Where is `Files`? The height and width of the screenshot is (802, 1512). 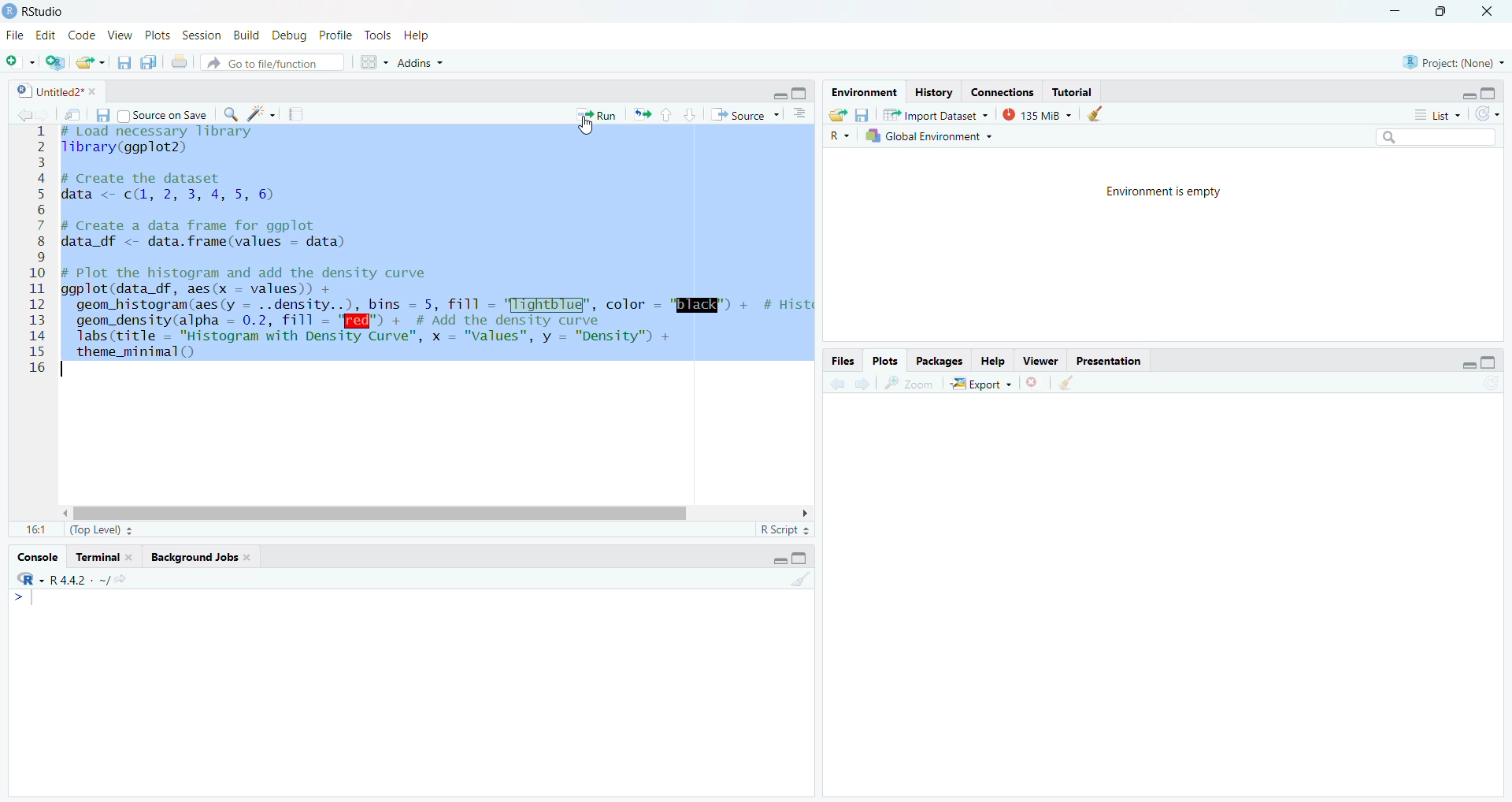 Files is located at coordinates (843, 361).